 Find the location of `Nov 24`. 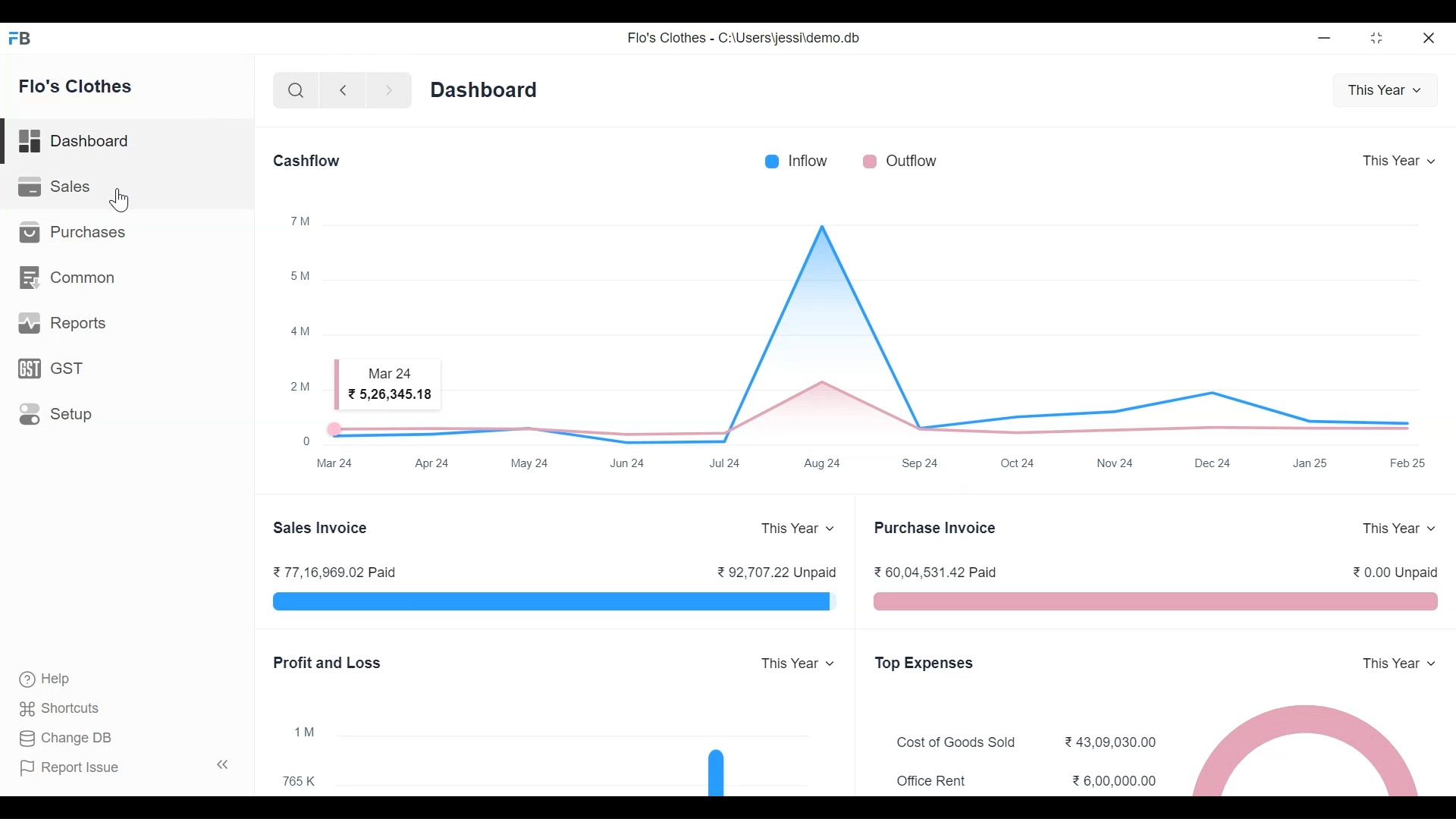

Nov 24 is located at coordinates (1116, 464).